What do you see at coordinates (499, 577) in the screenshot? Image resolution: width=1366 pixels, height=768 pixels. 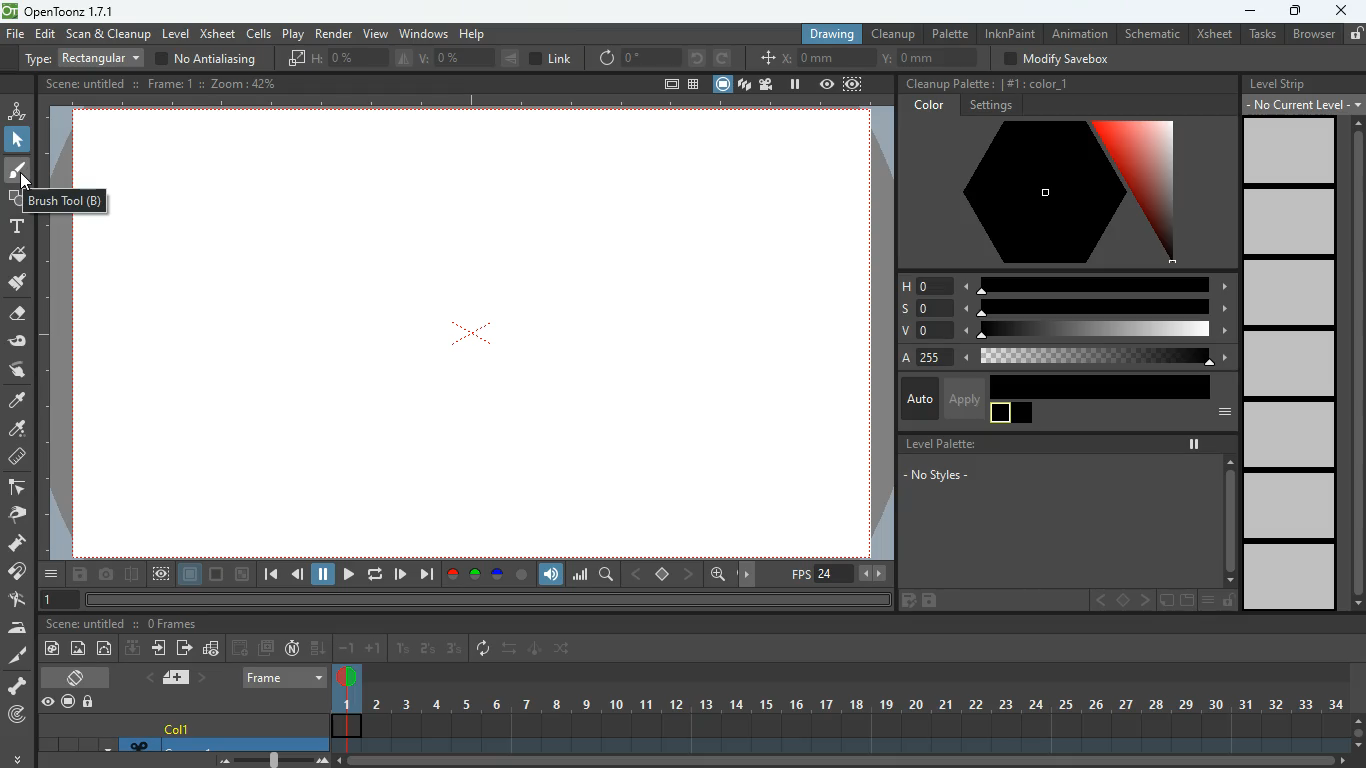 I see `blue` at bounding box center [499, 577].